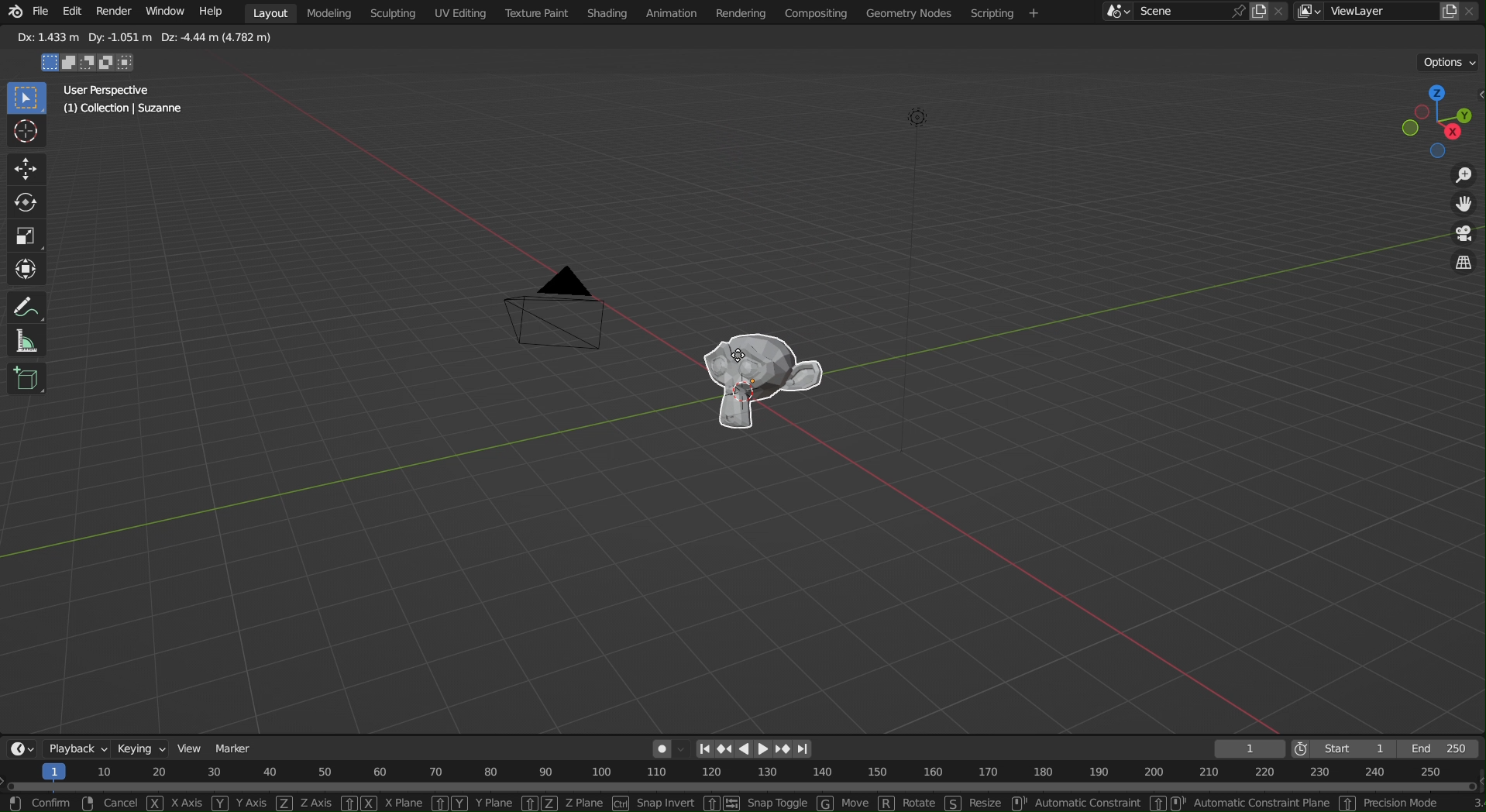 This screenshot has width=1486, height=812. Describe the element at coordinates (24, 270) in the screenshot. I see `Transform` at that location.